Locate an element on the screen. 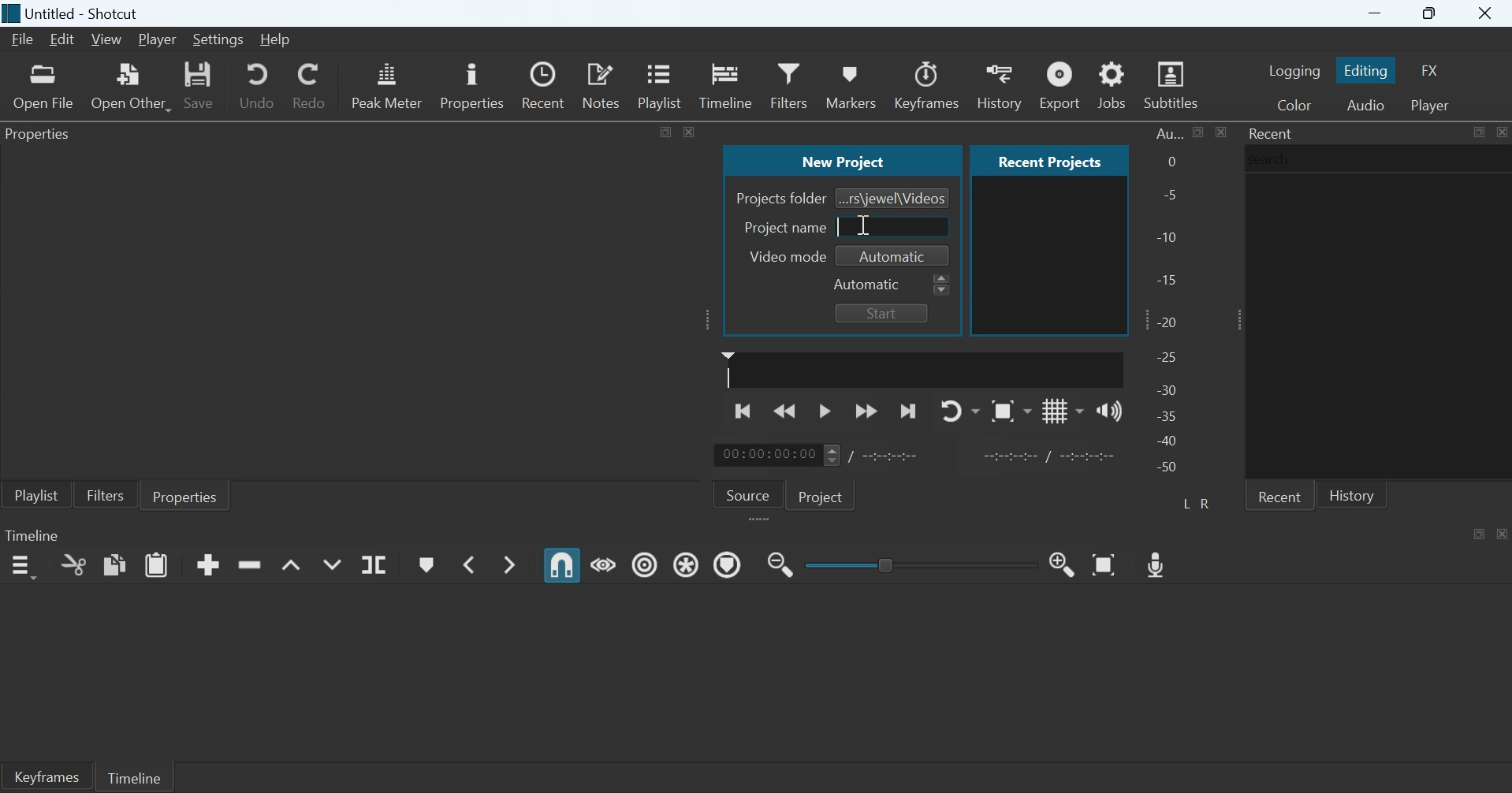 The height and width of the screenshot is (793, 1512). Open a device, stream or generator is located at coordinates (131, 86).